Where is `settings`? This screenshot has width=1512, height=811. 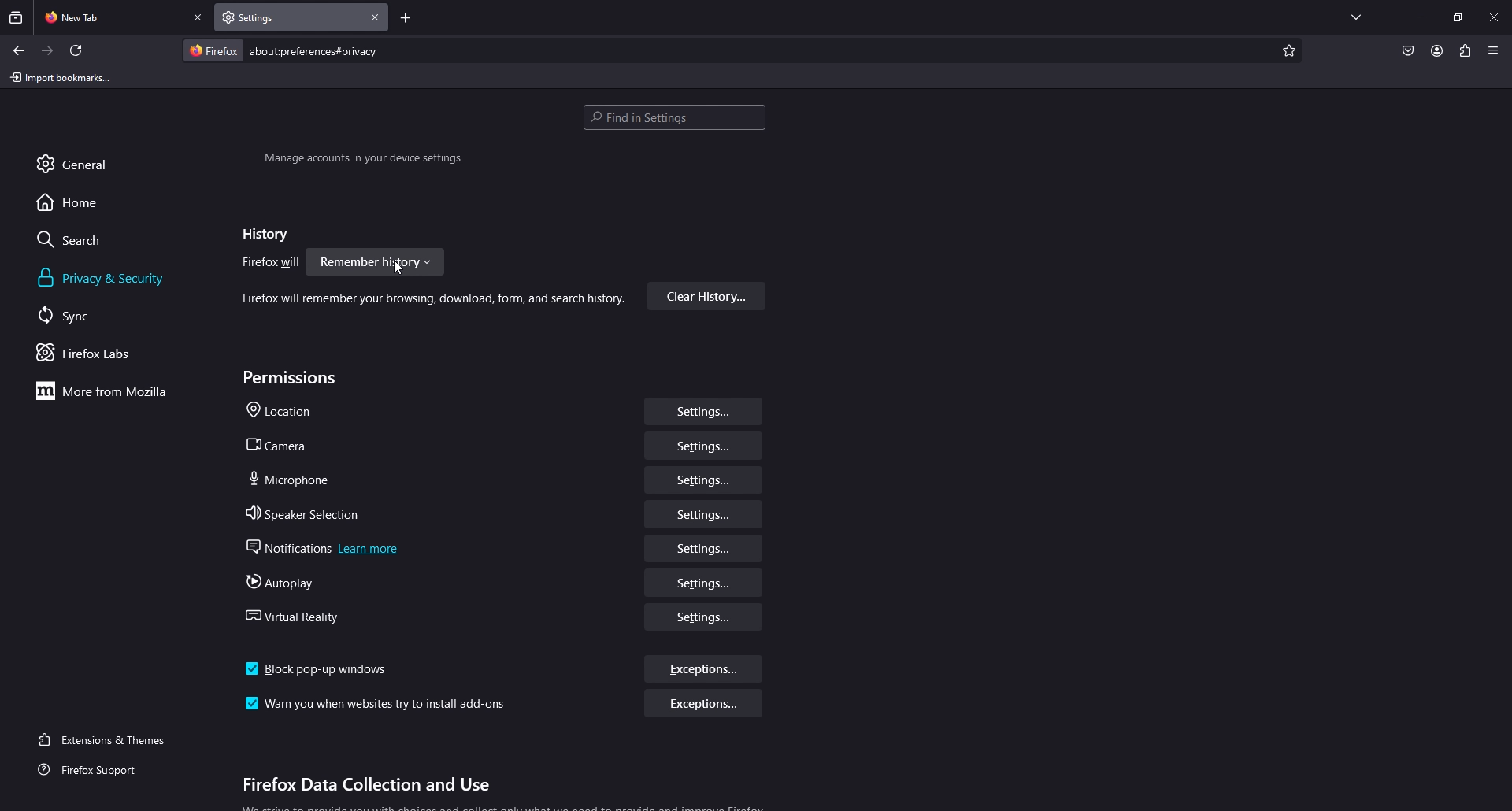 settings is located at coordinates (705, 513).